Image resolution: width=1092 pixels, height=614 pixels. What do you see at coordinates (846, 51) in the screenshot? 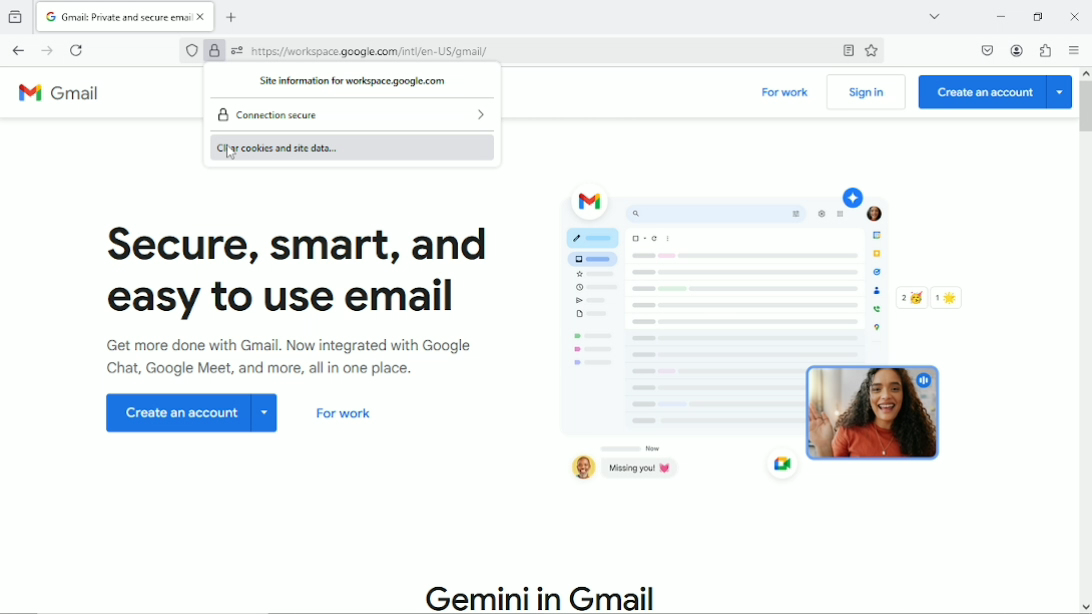
I see `Toggle reader view` at bounding box center [846, 51].